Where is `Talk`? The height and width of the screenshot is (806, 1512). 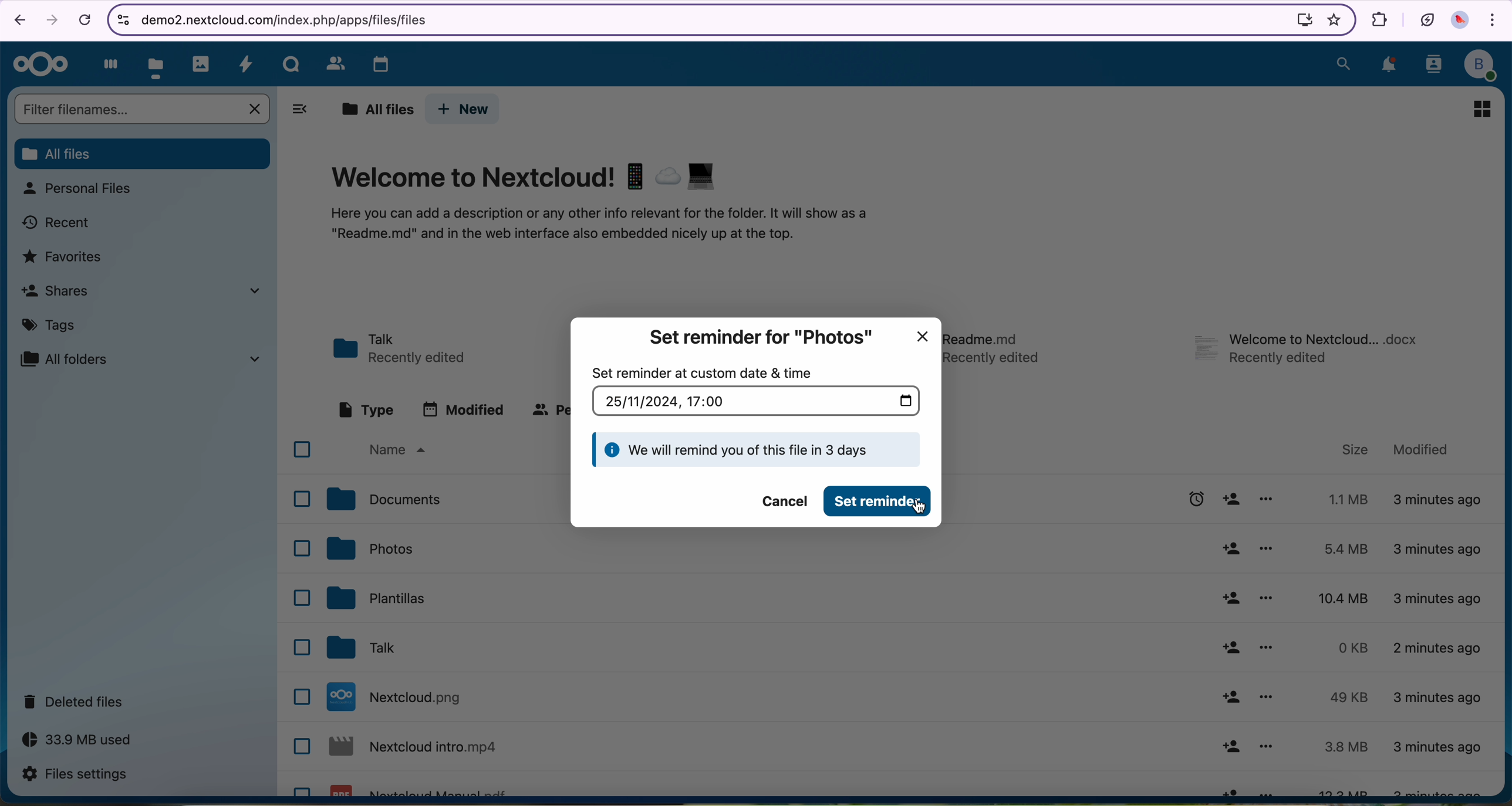
Talk is located at coordinates (292, 63).